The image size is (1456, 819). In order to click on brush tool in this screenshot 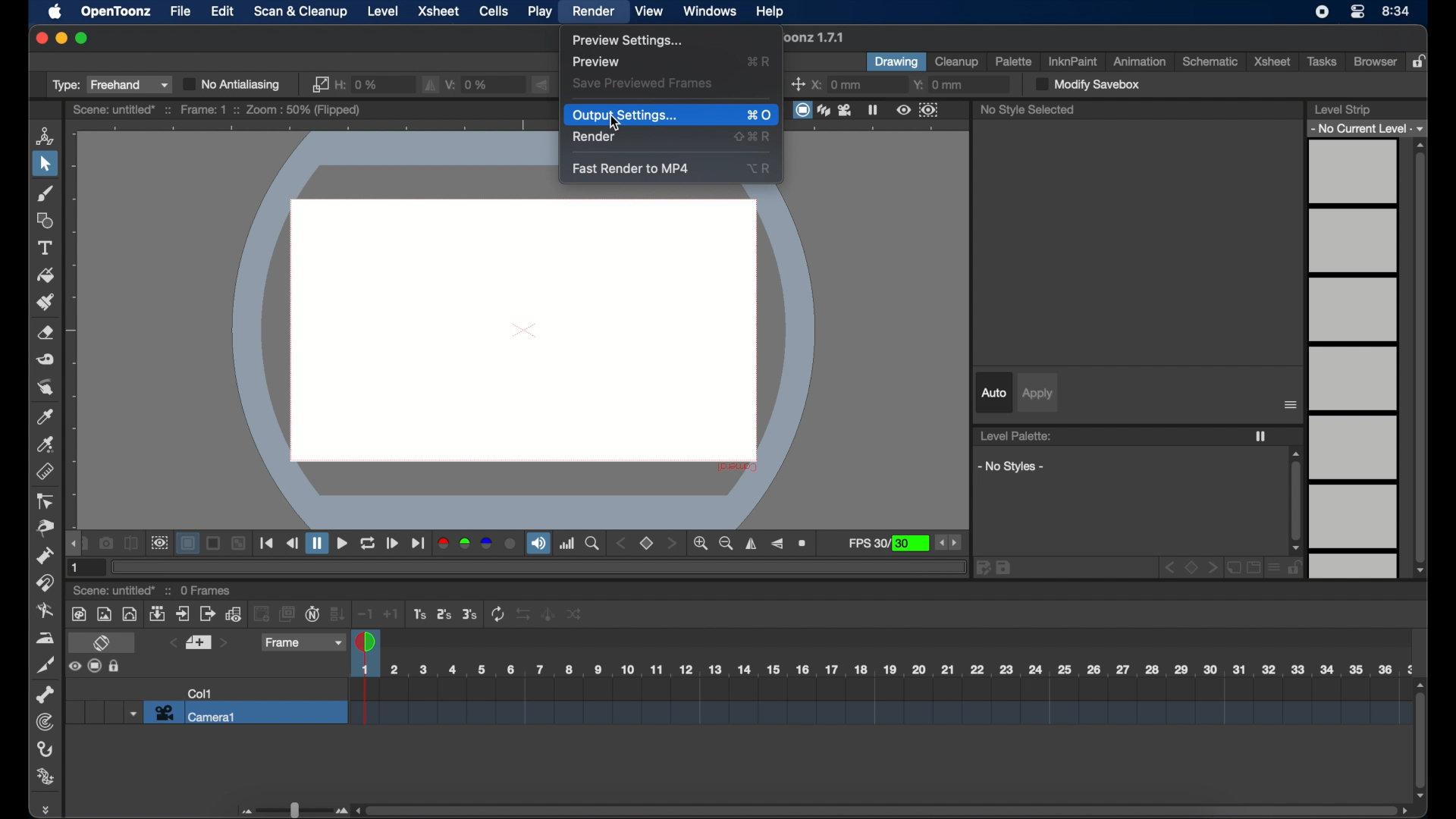, I will do `click(45, 193)`.